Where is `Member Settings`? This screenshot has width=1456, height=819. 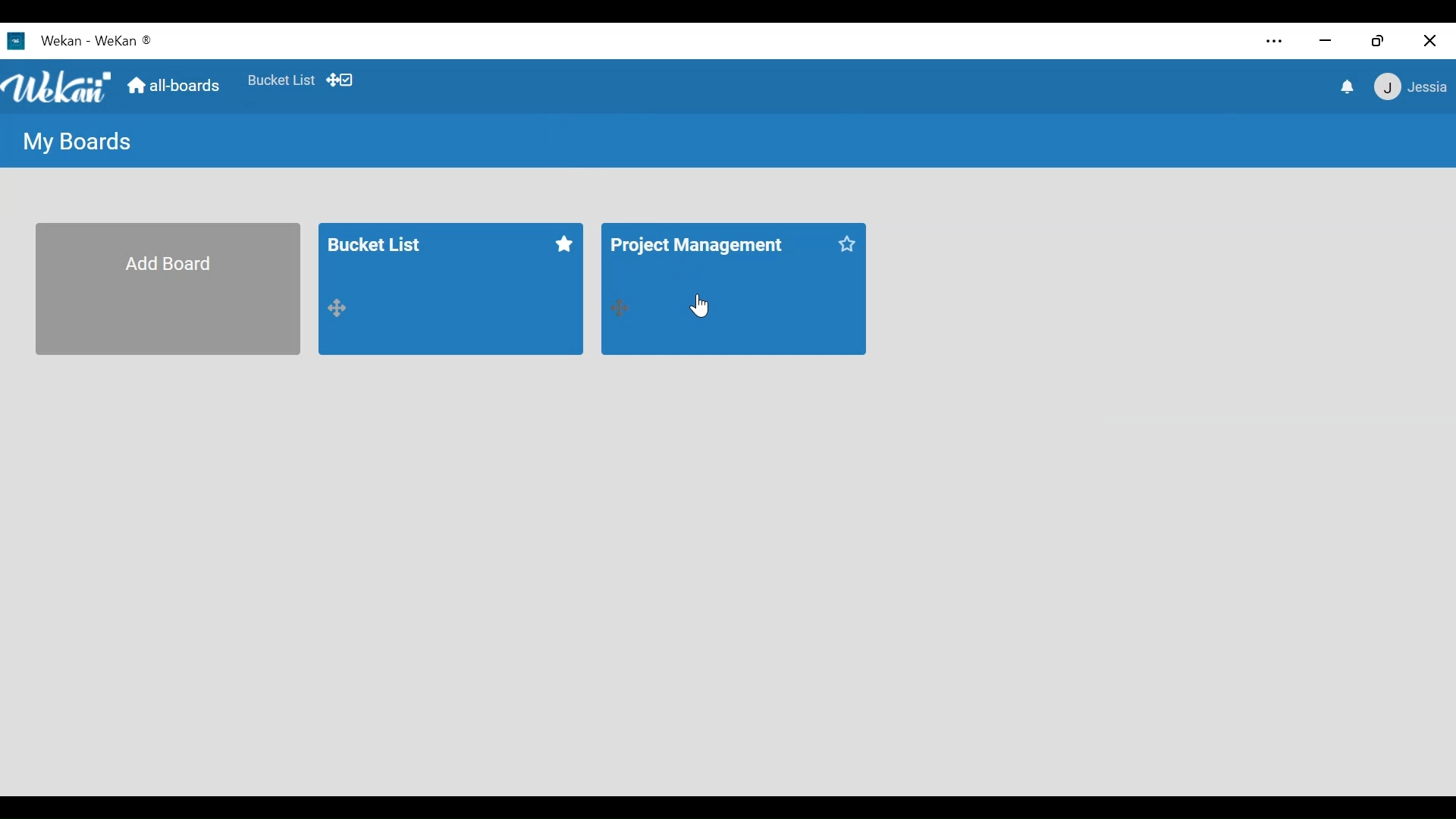 Member Settings is located at coordinates (1412, 87).